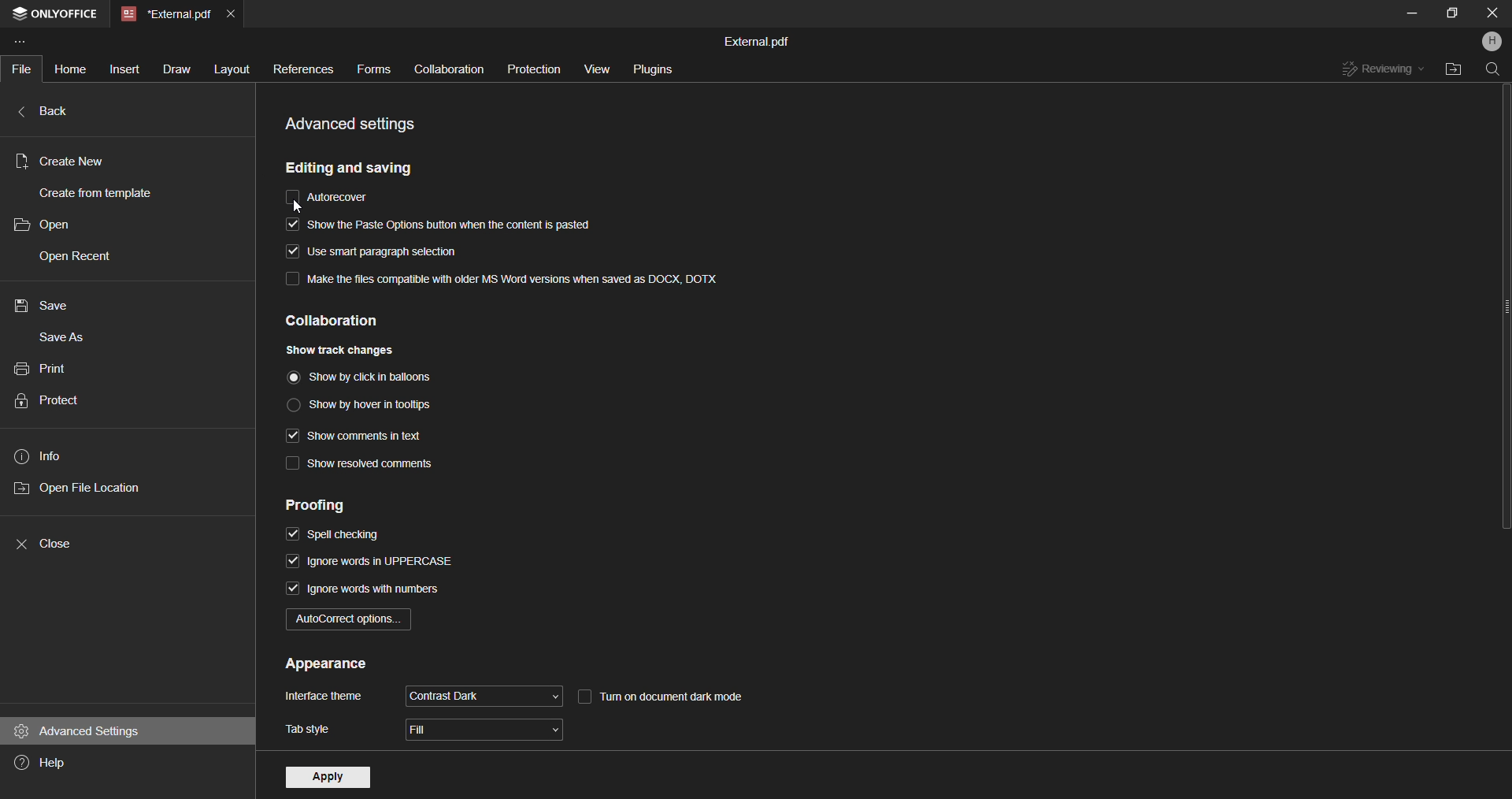  What do you see at coordinates (1492, 13) in the screenshot?
I see `Close` at bounding box center [1492, 13].